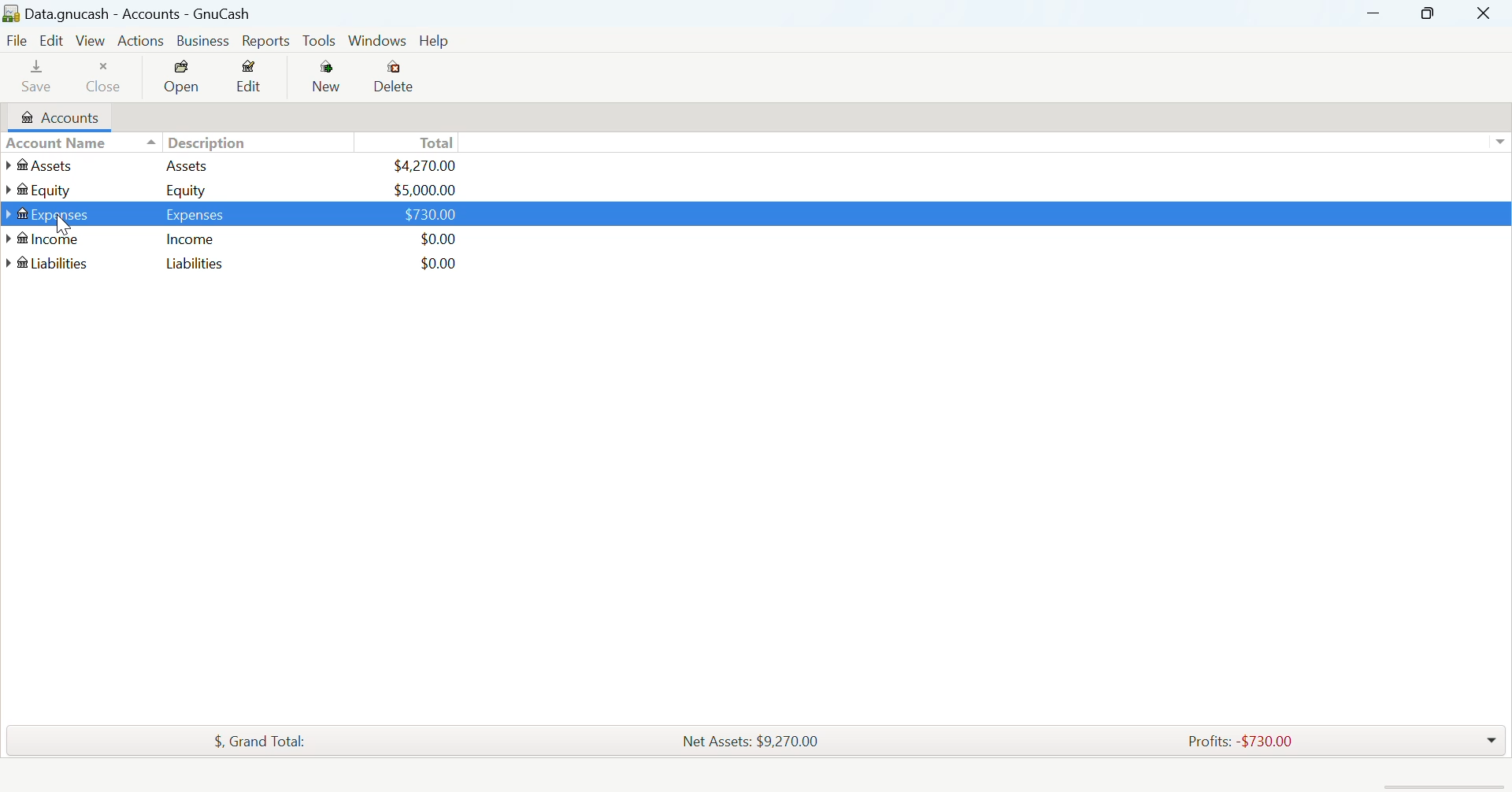 This screenshot has height=792, width=1512. I want to click on Net Assets: $9,270.00, so click(758, 746).